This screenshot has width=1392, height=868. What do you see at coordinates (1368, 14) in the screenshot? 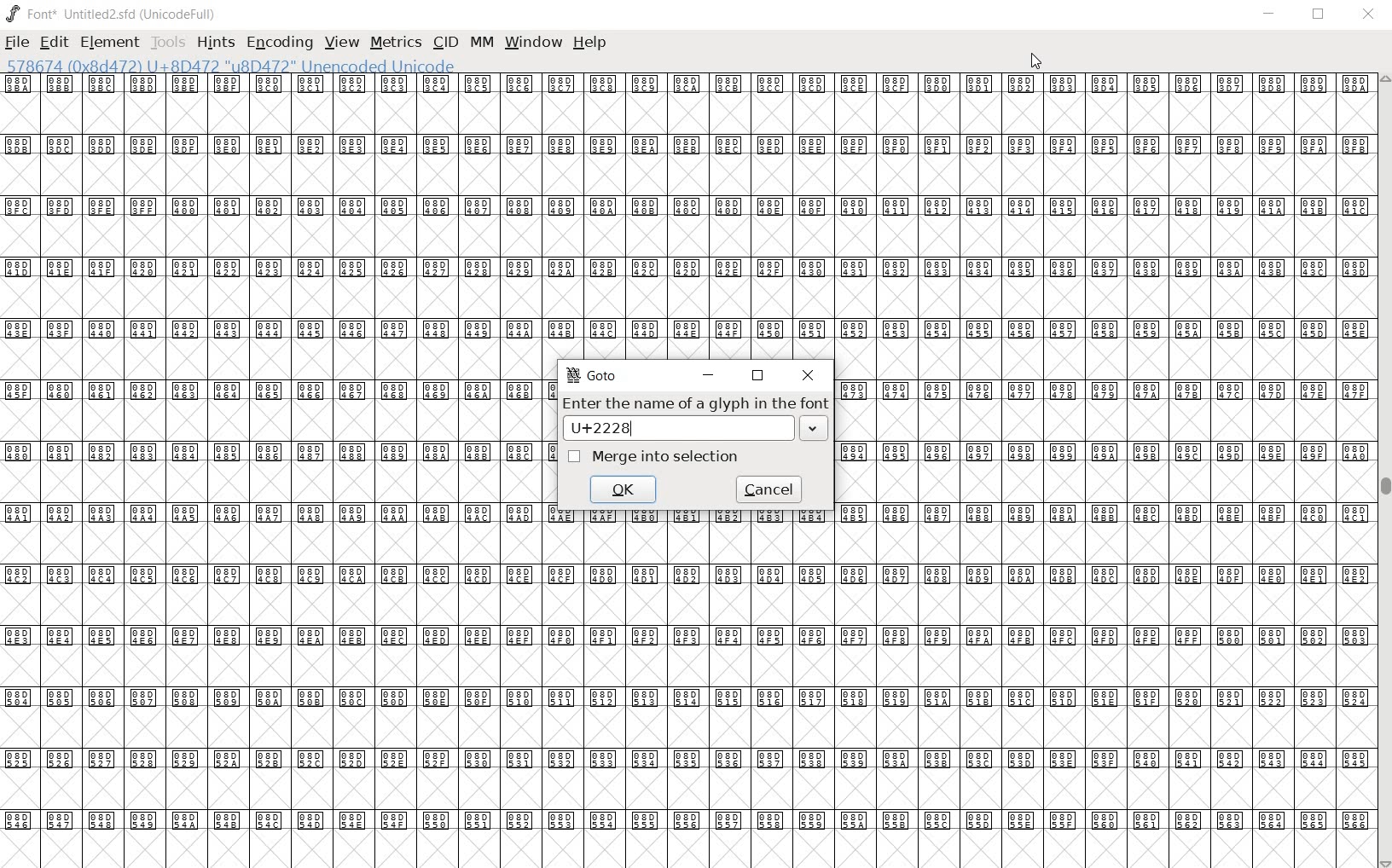
I see `close` at bounding box center [1368, 14].